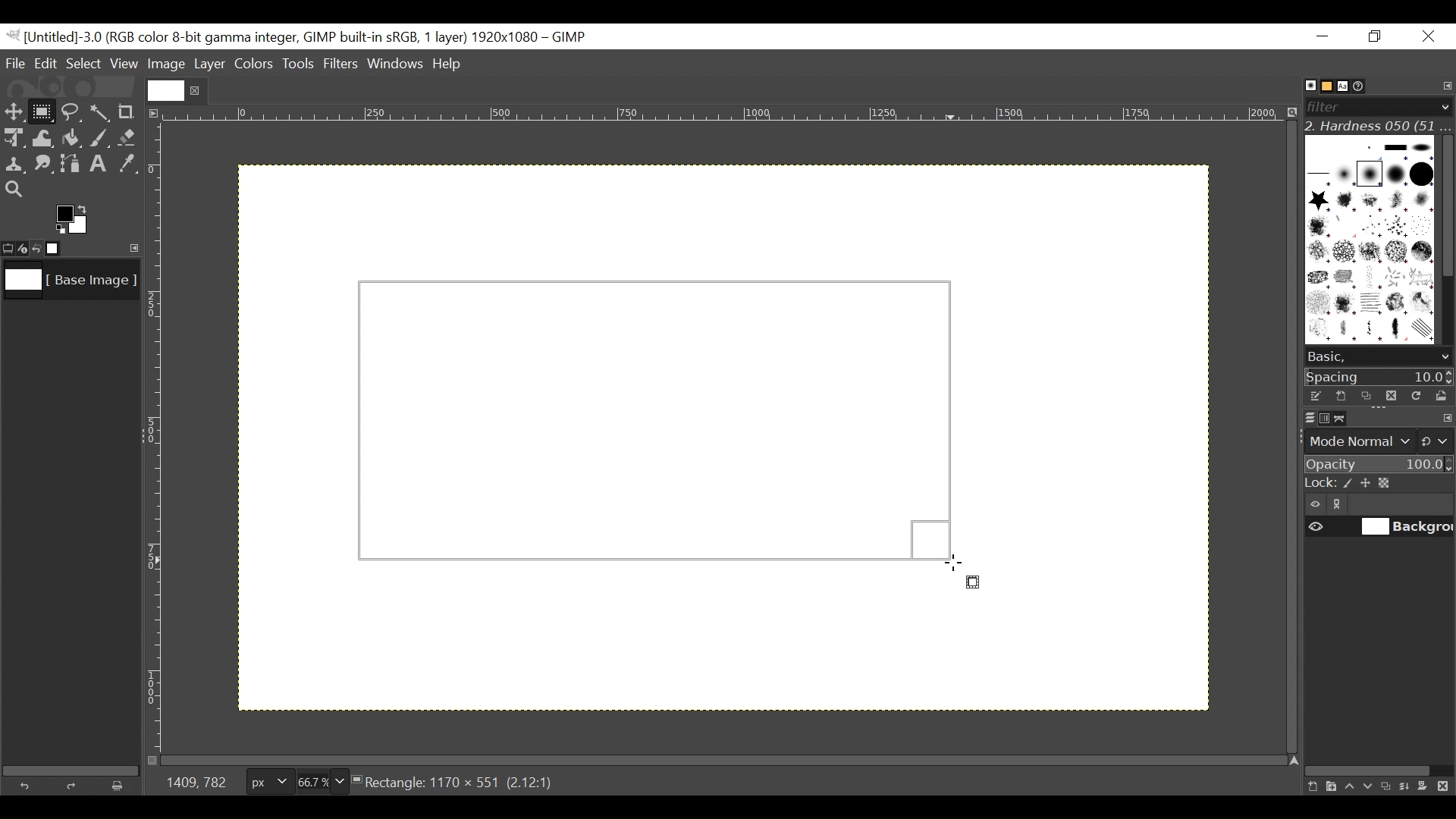 Image resolution: width=1456 pixels, height=819 pixels. I want to click on Open, so click(1438, 396).